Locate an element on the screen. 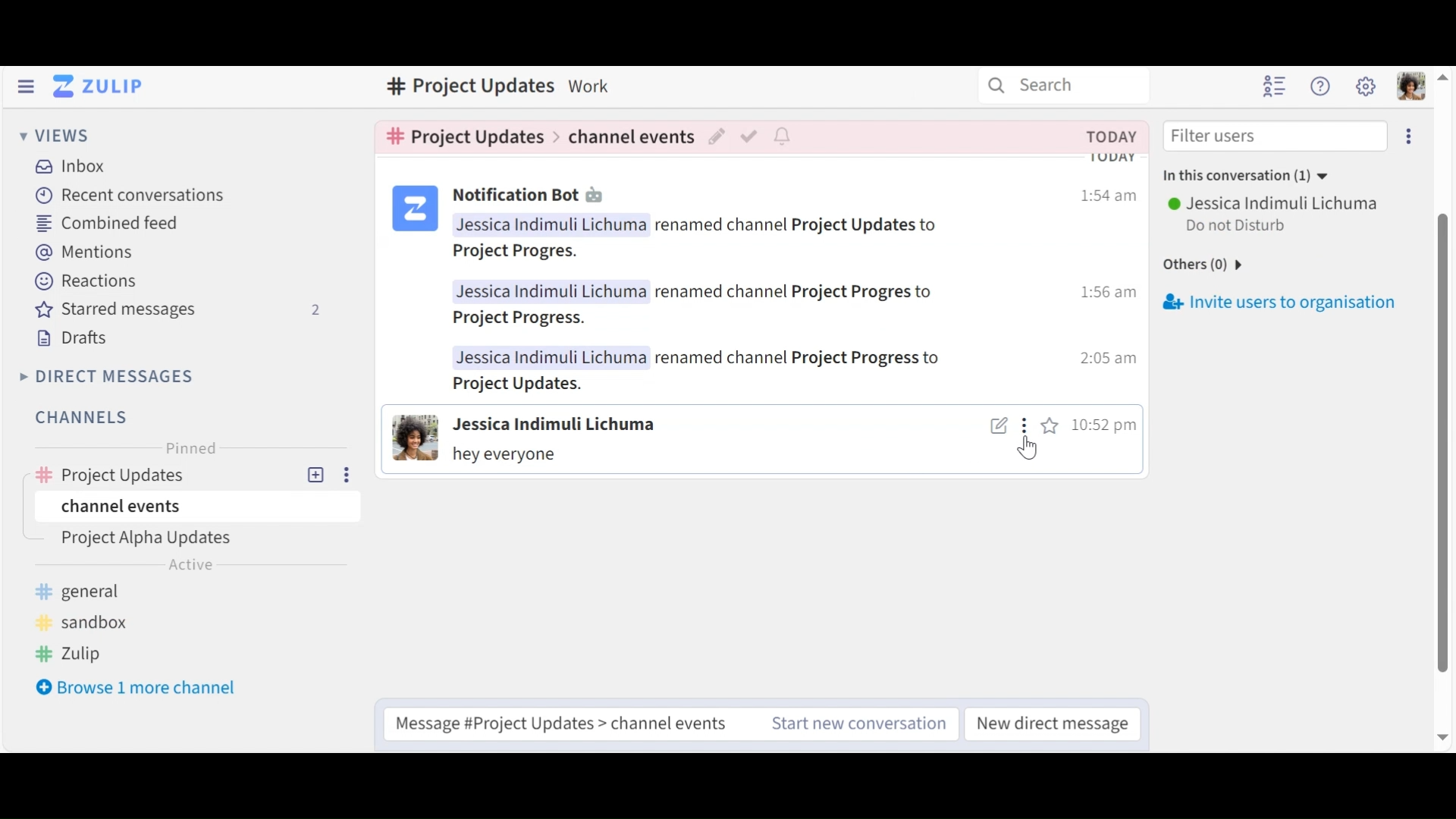 Image resolution: width=1456 pixels, height=819 pixels. Reactions is located at coordinates (88, 282).